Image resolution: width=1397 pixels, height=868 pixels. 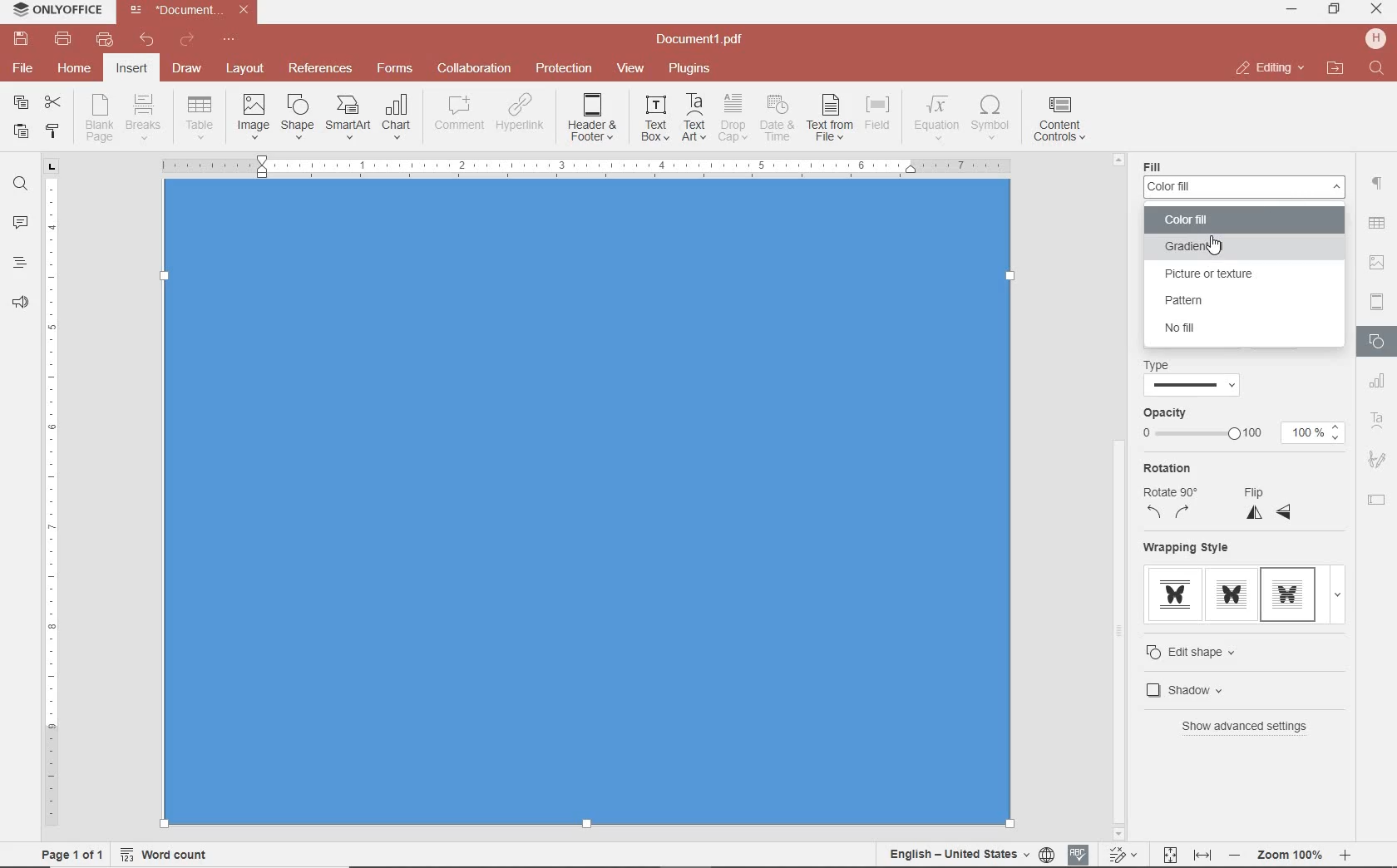 What do you see at coordinates (474, 69) in the screenshot?
I see `collaboration` at bounding box center [474, 69].